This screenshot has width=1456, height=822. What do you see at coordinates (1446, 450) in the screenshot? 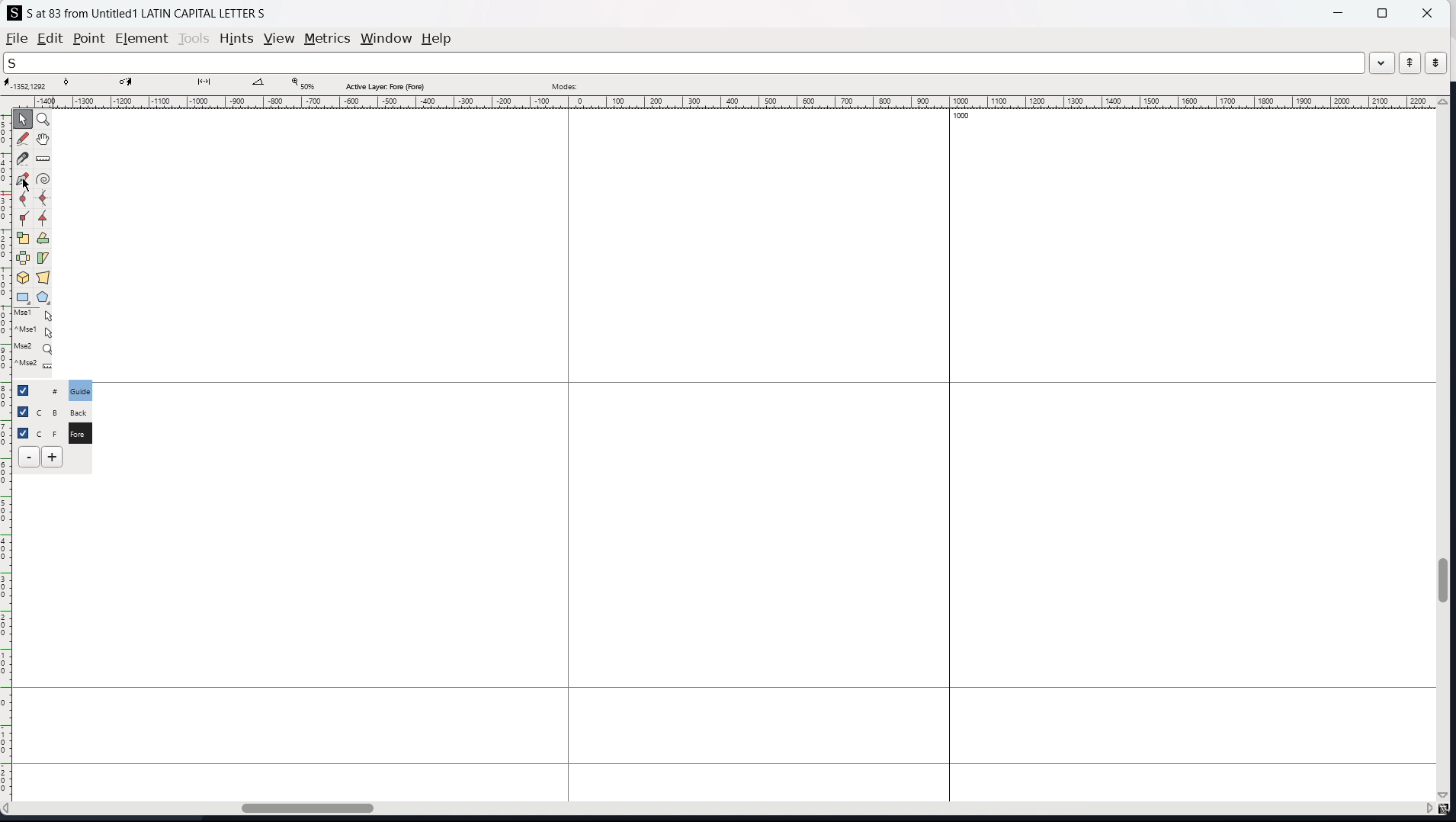
I see `vertical scrollbar` at bounding box center [1446, 450].